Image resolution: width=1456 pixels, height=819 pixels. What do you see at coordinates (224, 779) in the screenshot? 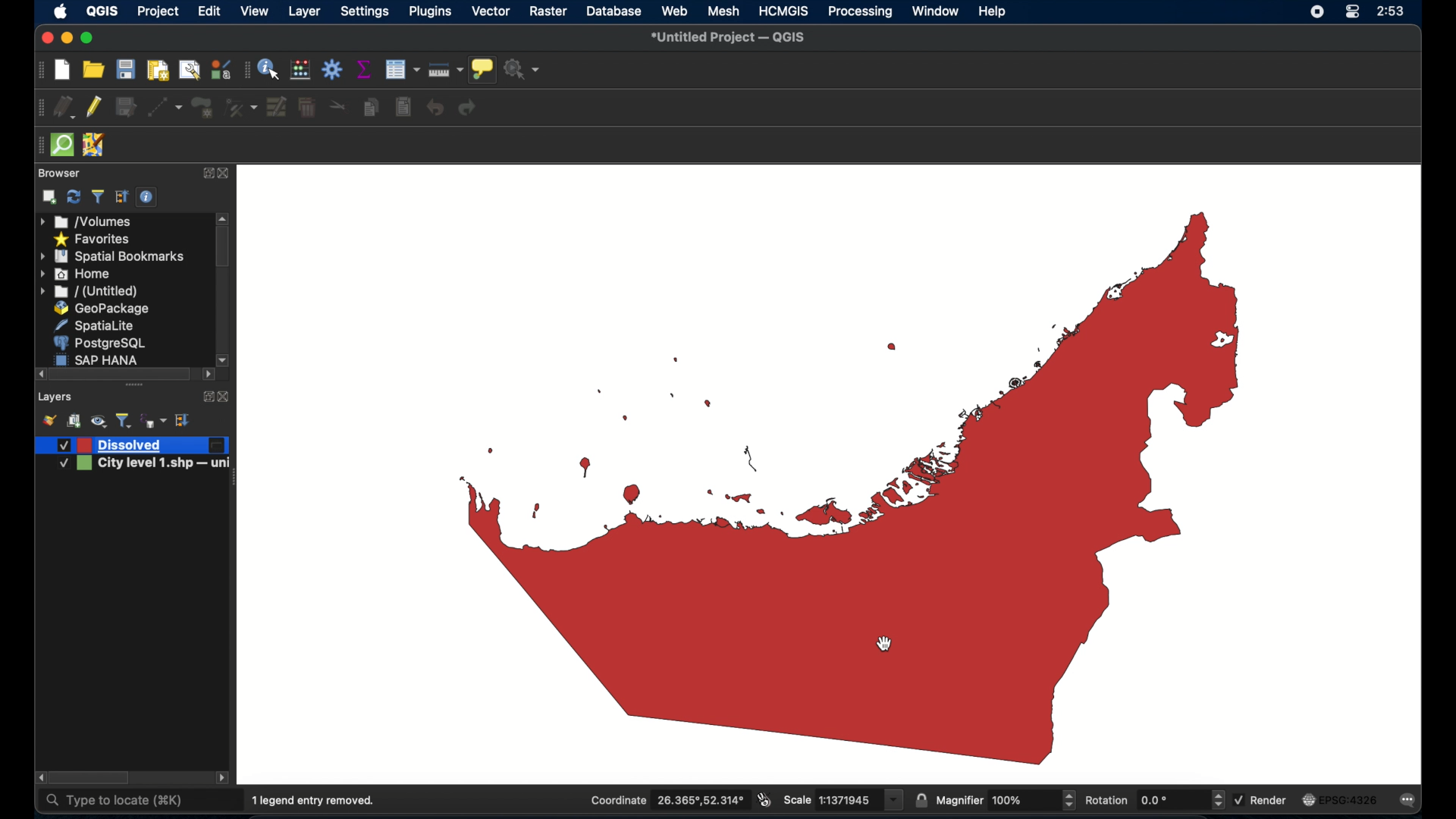
I see `scroll left arrow` at bounding box center [224, 779].